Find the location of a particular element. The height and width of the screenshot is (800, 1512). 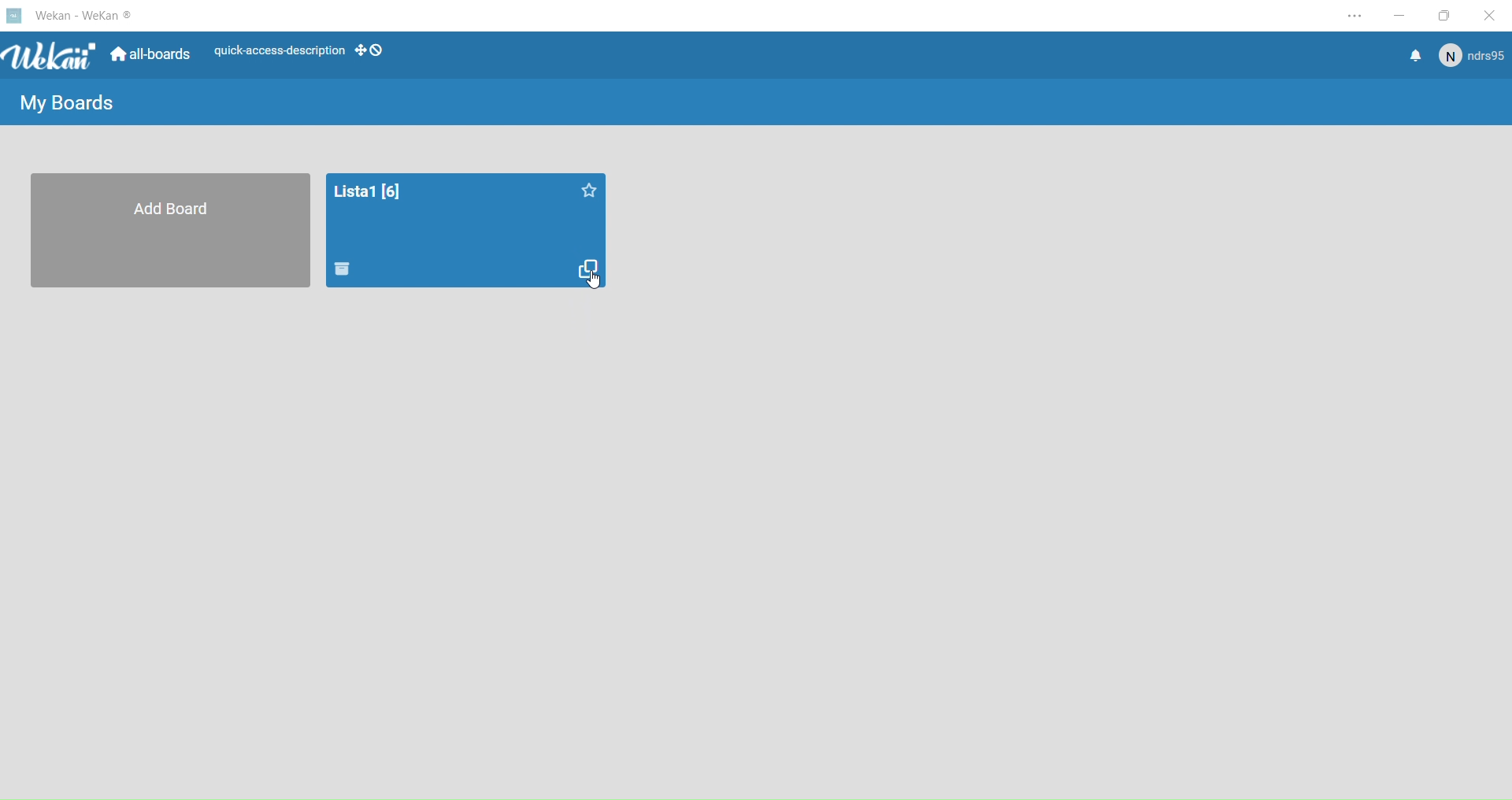

Boards is located at coordinates (154, 55).